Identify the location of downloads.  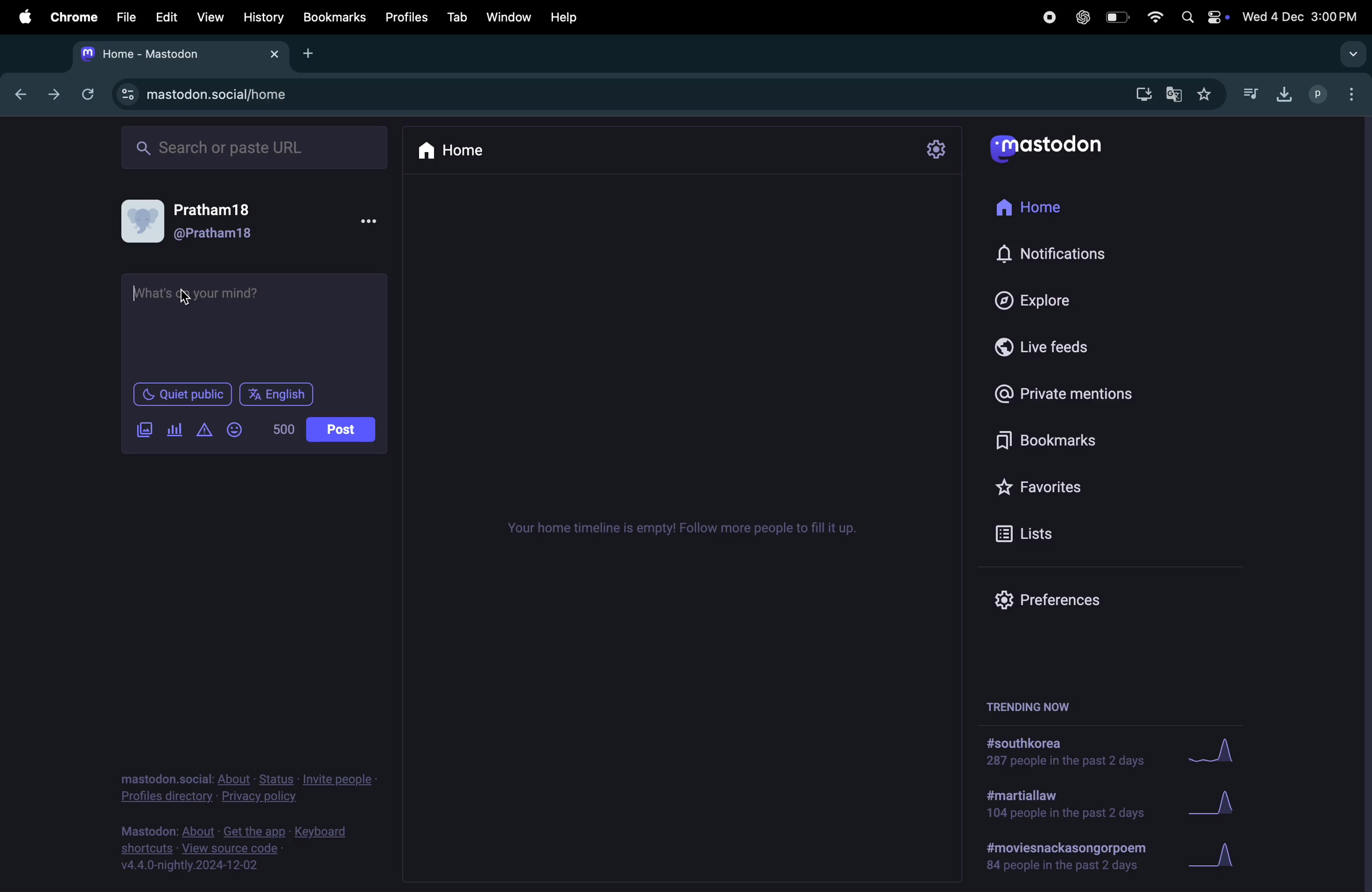
(1282, 95).